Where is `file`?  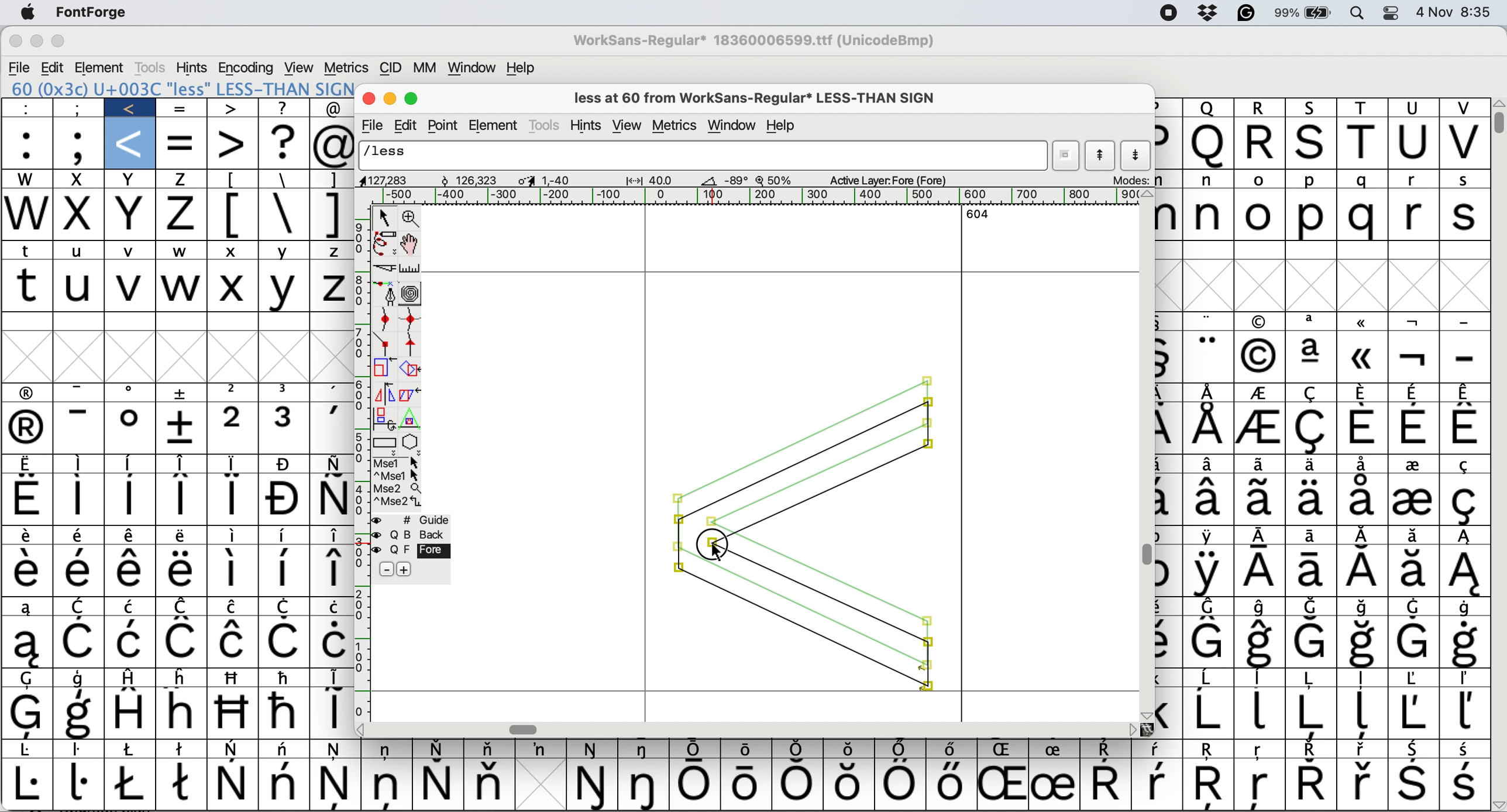 file is located at coordinates (374, 124).